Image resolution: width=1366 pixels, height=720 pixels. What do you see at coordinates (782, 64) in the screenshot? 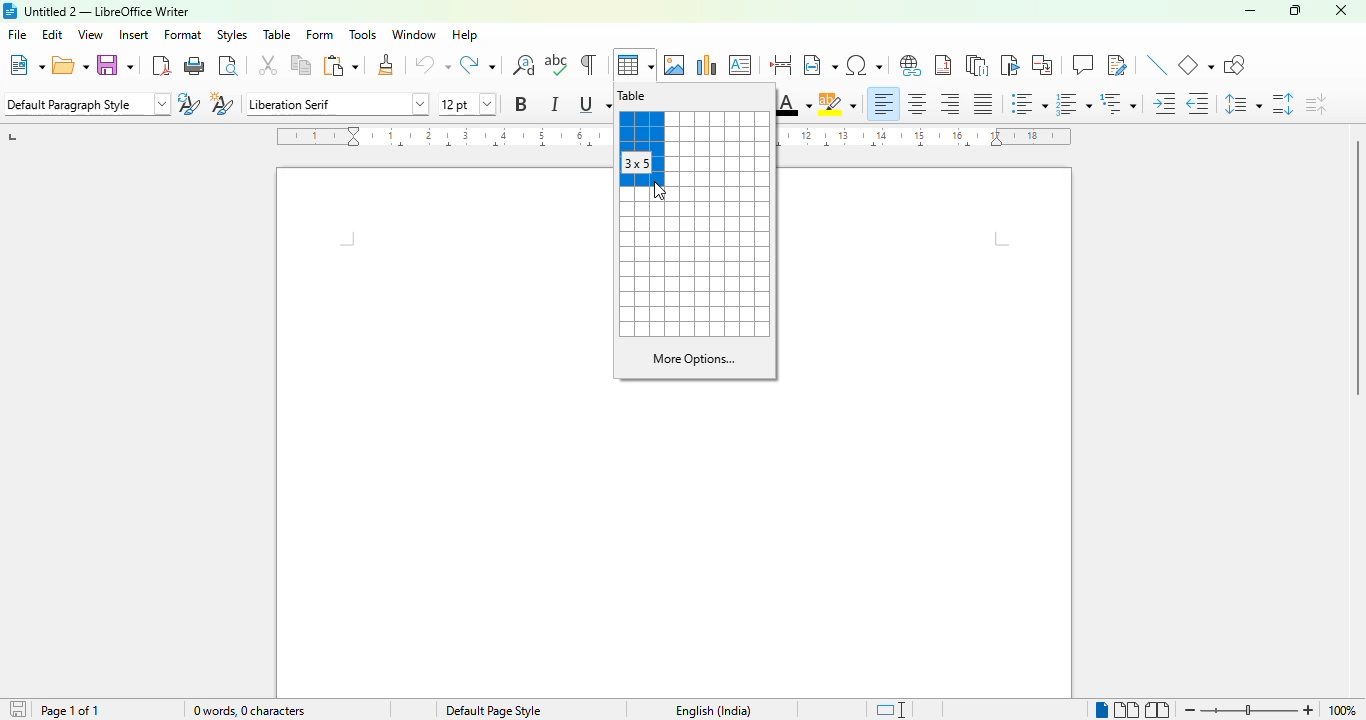
I see `insert page break` at bounding box center [782, 64].